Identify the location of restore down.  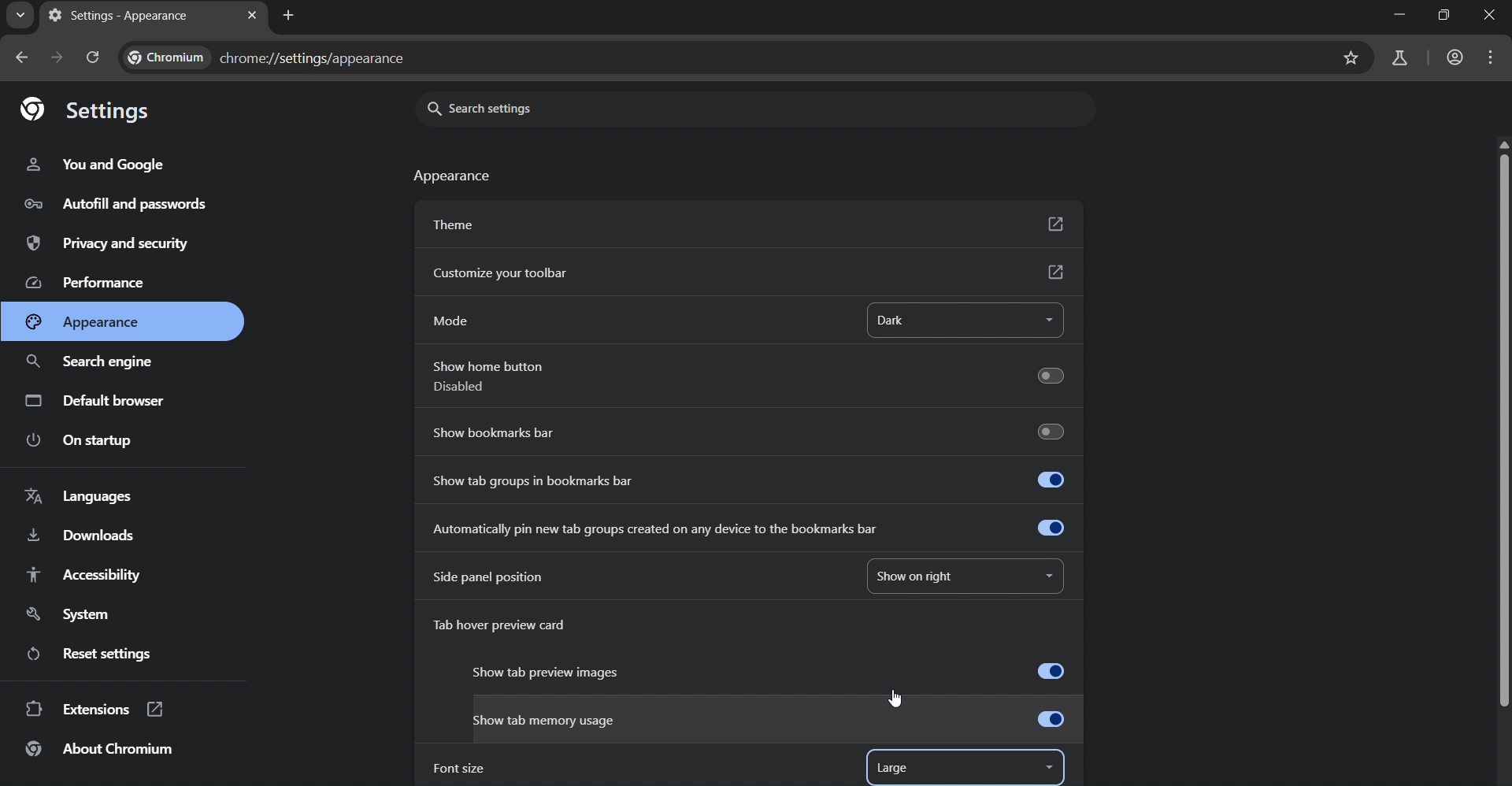
(1444, 14).